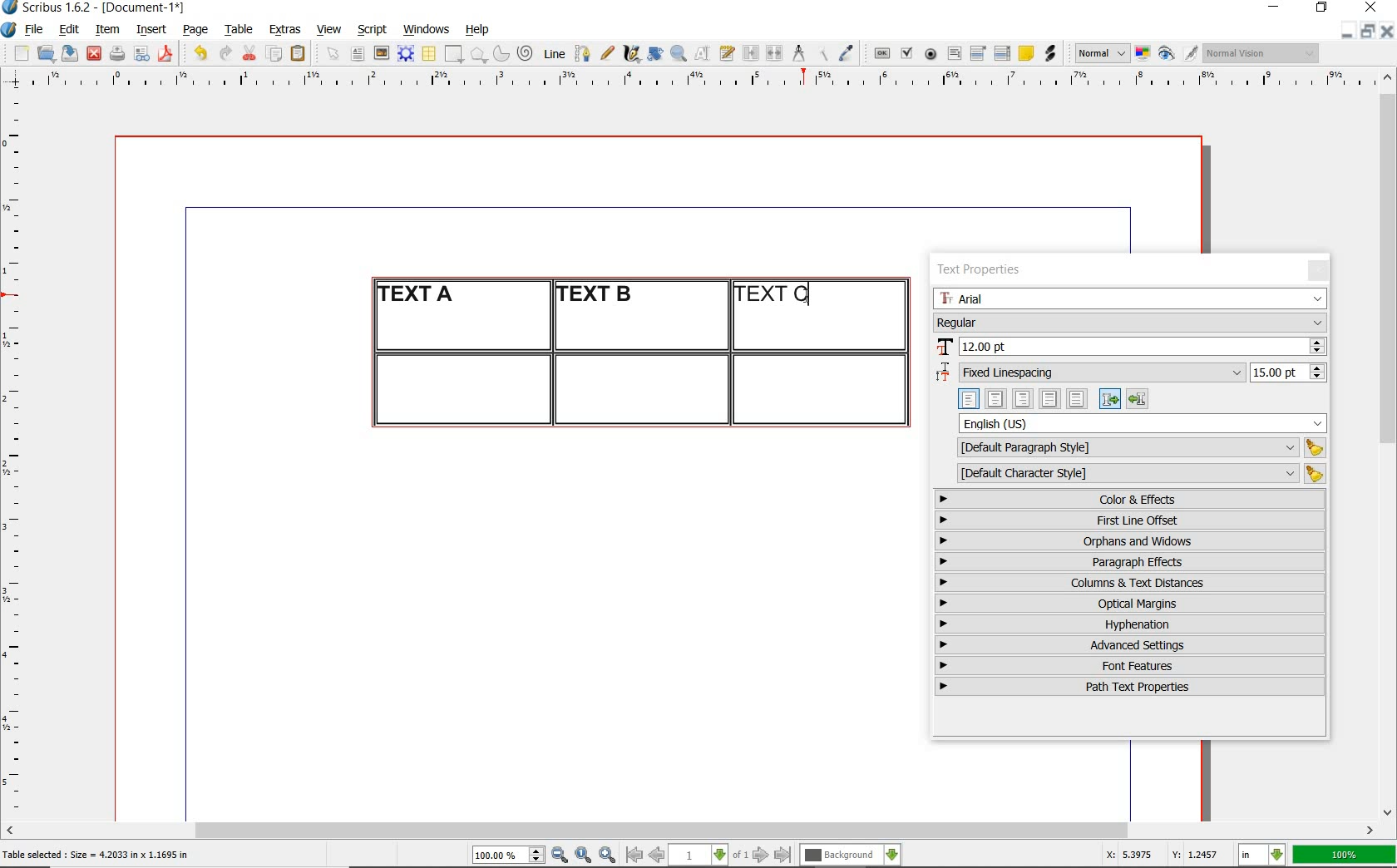 The image size is (1397, 868). Describe the element at coordinates (708, 855) in the screenshot. I see `select current page level` at that location.